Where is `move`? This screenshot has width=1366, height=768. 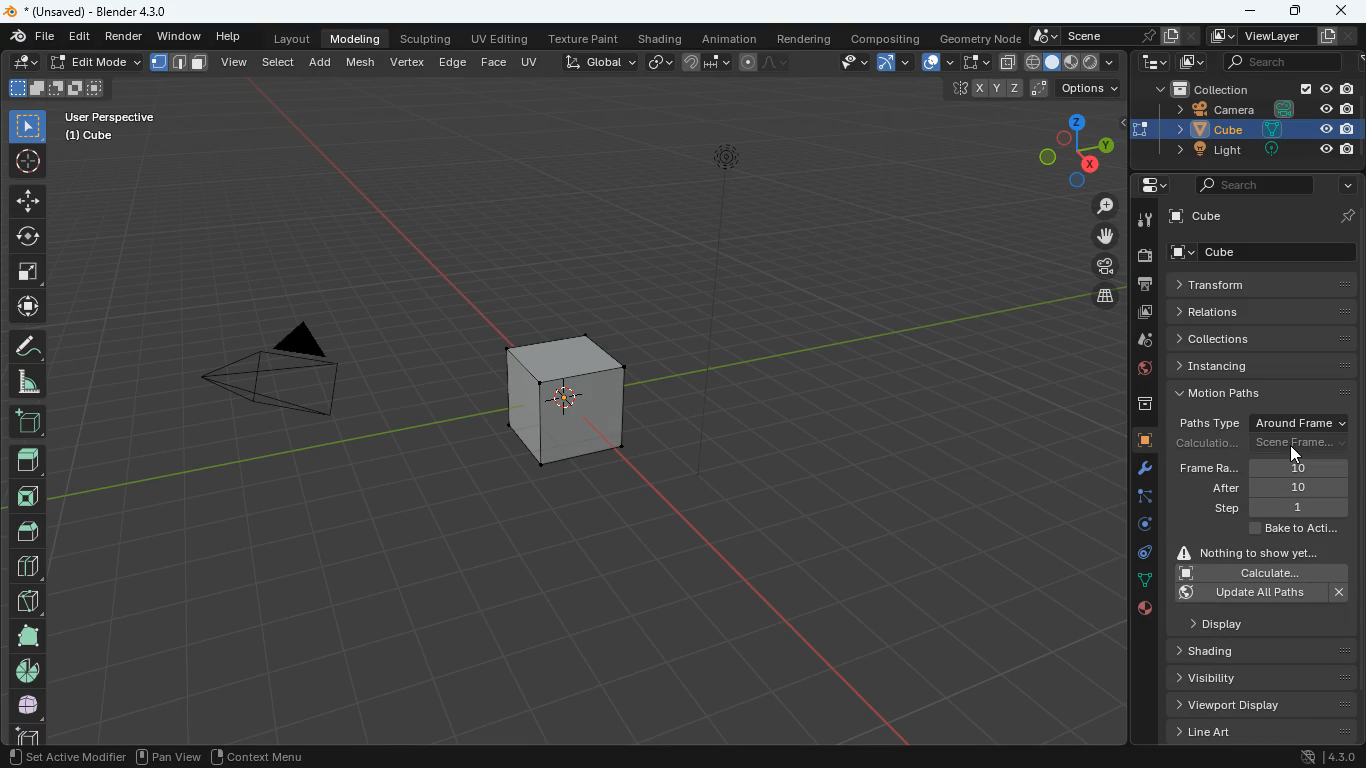 move is located at coordinates (1096, 236).